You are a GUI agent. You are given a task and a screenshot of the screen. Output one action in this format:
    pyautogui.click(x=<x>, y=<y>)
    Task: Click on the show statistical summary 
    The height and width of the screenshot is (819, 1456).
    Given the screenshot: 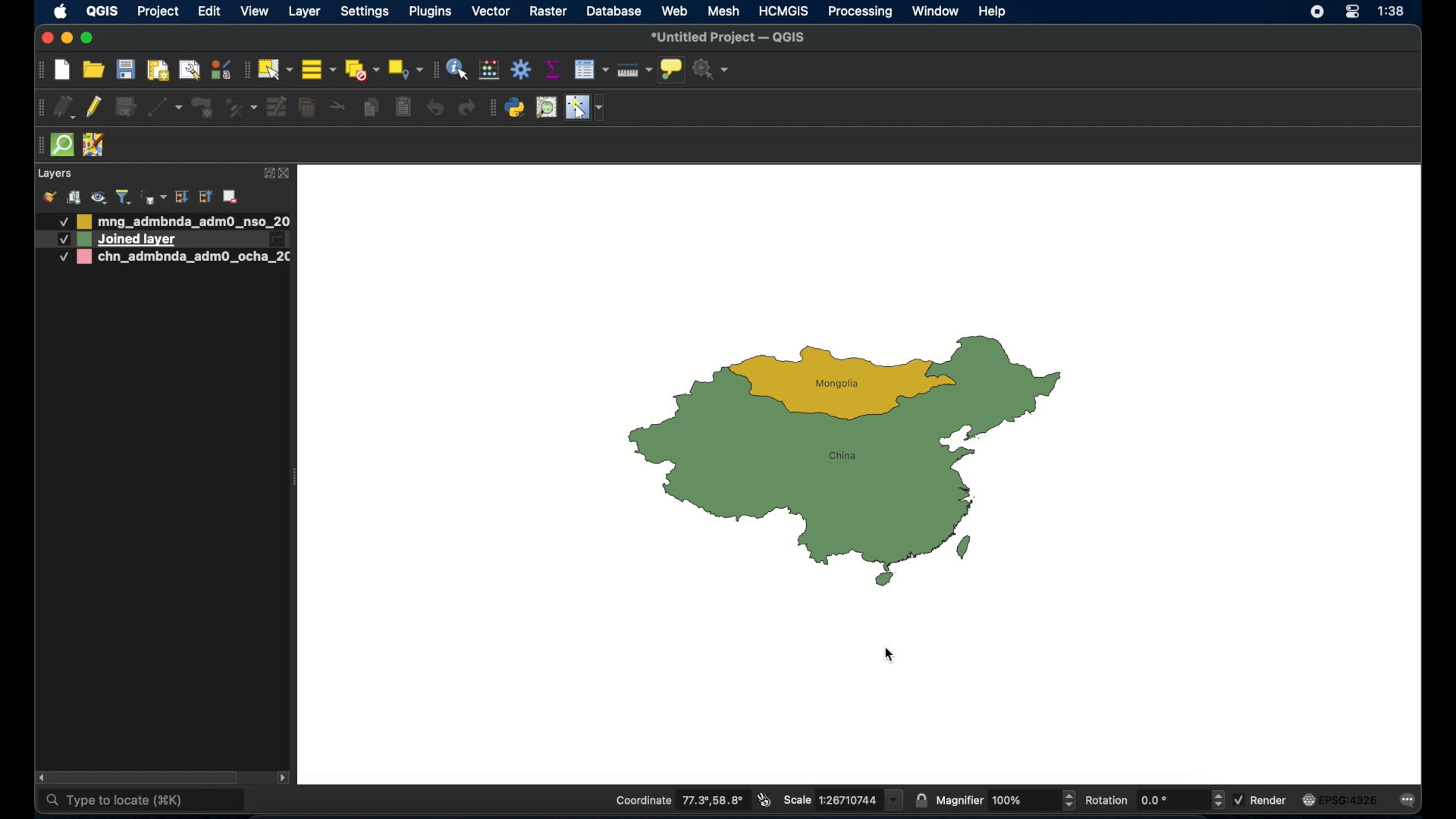 What is the action you would take?
    pyautogui.click(x=554, y=69)
    